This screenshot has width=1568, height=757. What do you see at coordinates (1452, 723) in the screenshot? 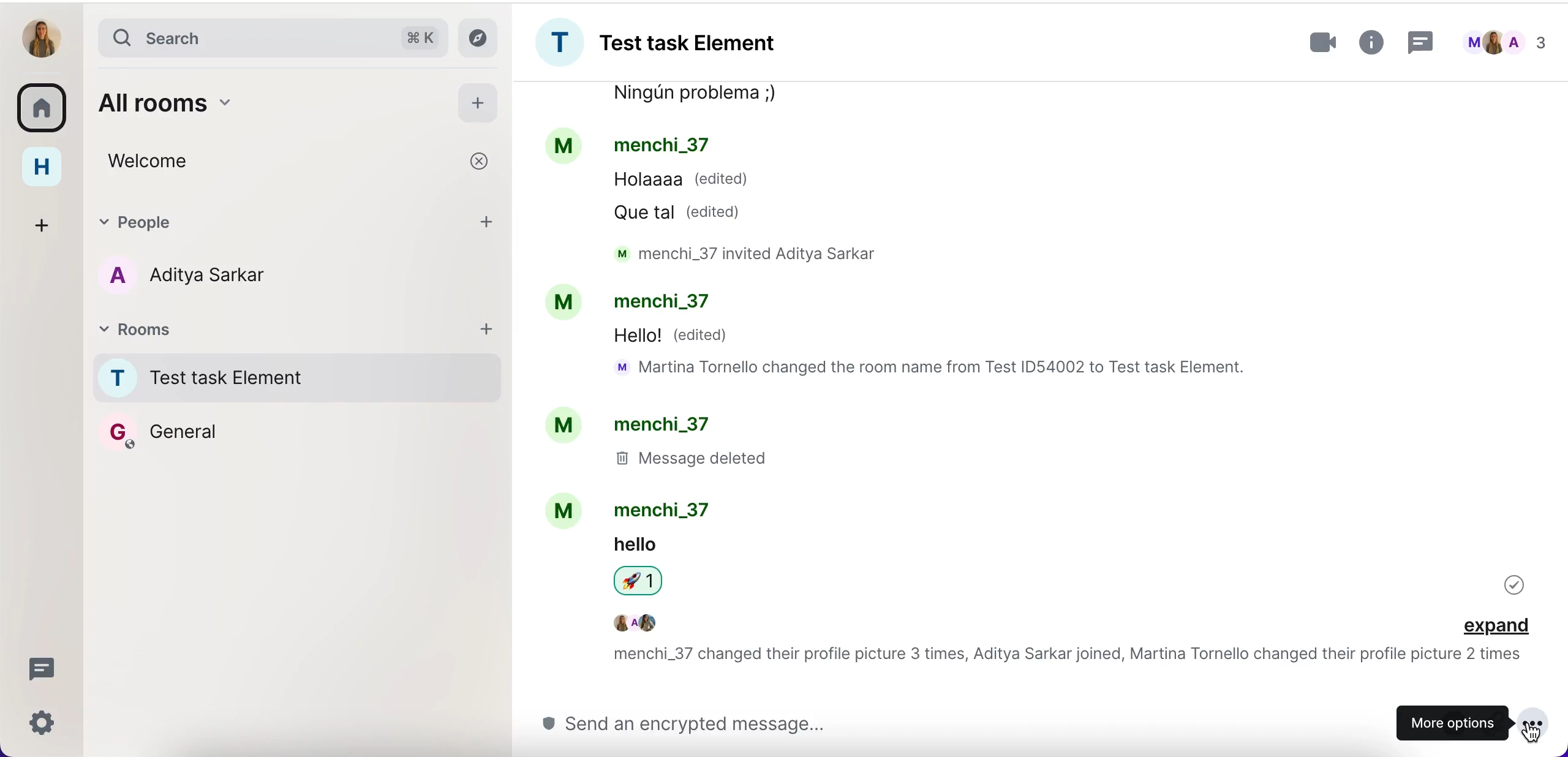
I see `more options ` at bounding box center [1452, 723].